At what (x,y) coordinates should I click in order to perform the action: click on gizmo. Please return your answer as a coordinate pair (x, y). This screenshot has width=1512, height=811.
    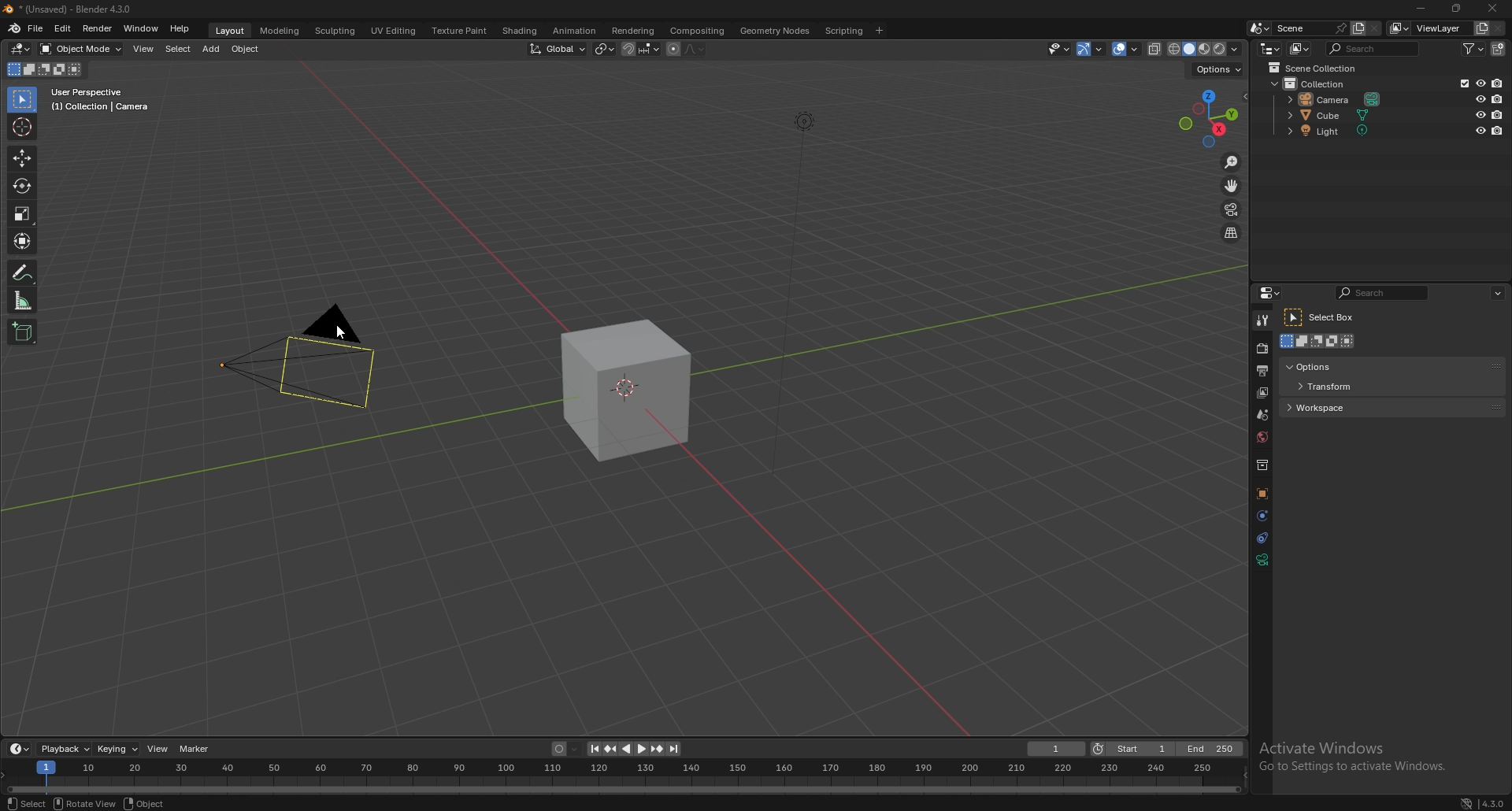
    Looking at the image, I should click on (1091, 49).